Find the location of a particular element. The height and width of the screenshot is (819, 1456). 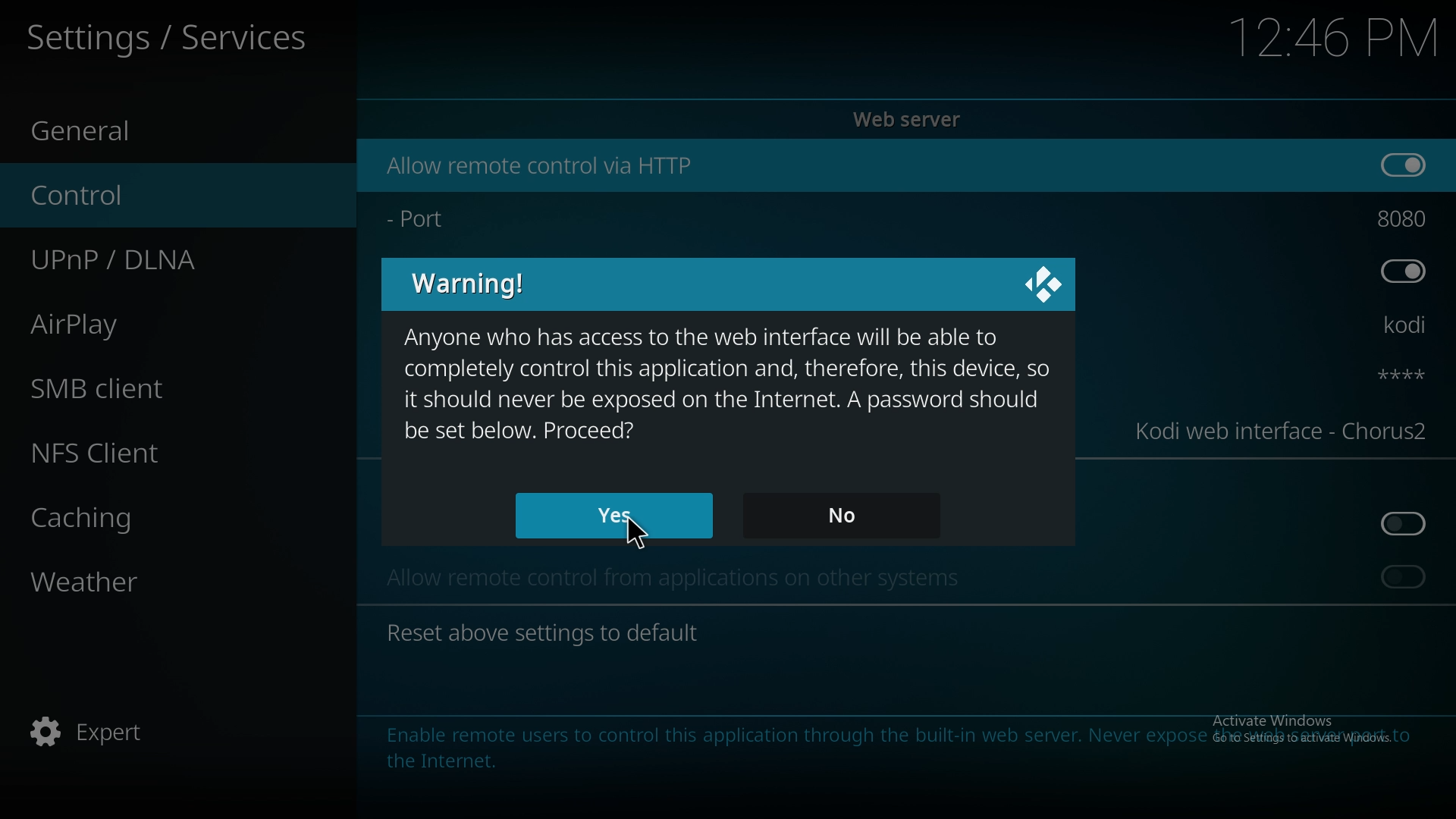

port is located at coordinates (426, 215).